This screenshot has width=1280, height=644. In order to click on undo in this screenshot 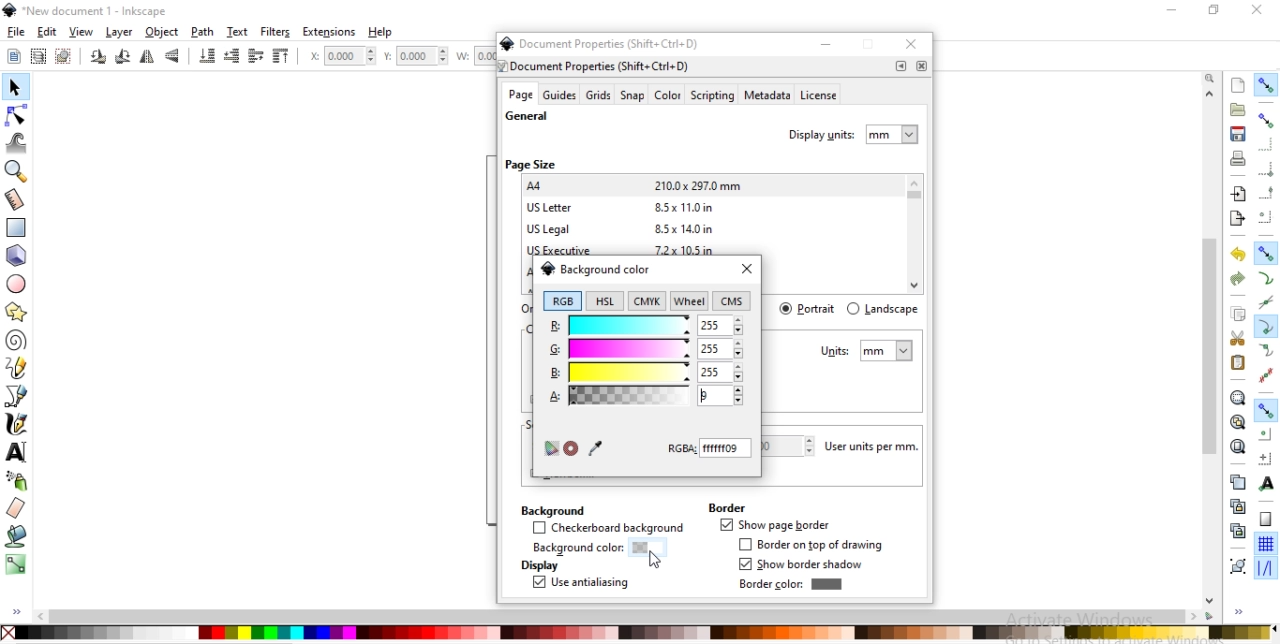, I will do `click(1235, 255)`.